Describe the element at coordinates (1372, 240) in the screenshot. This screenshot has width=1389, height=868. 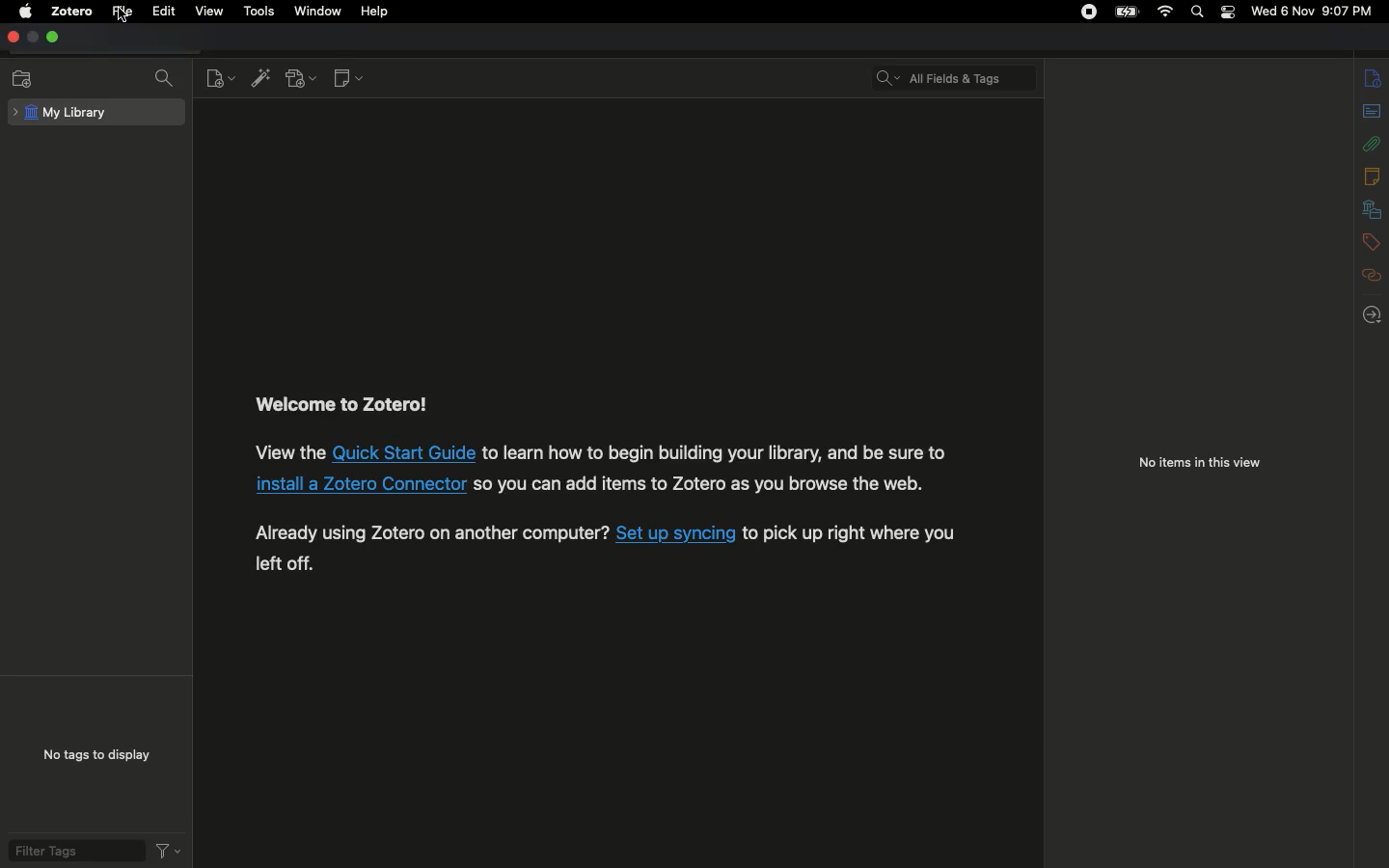
I see `Tags` at that location.